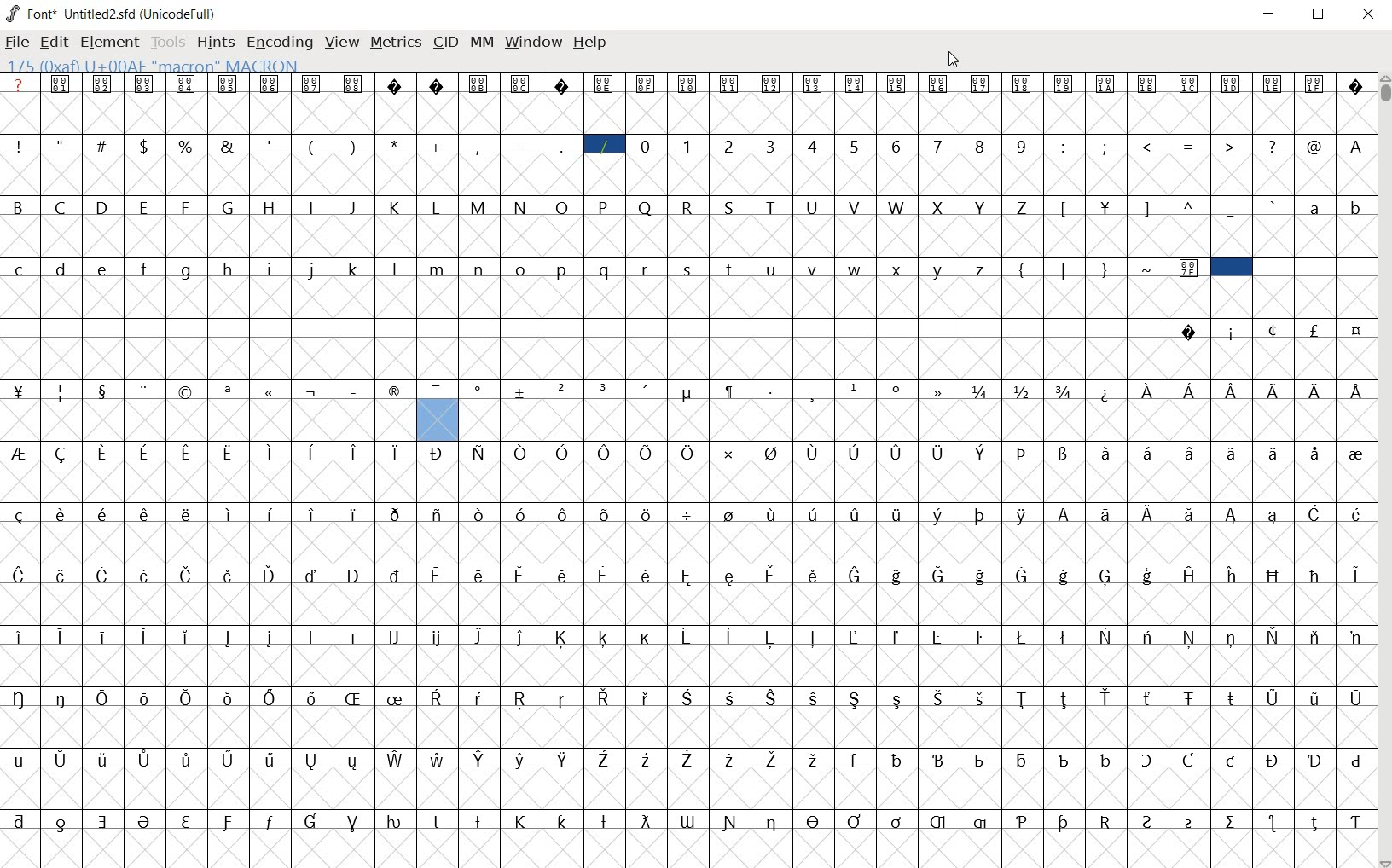 Image resolution: width=1392 pixels, height=868 pixels. I want to click on :, so click(1065, 146).